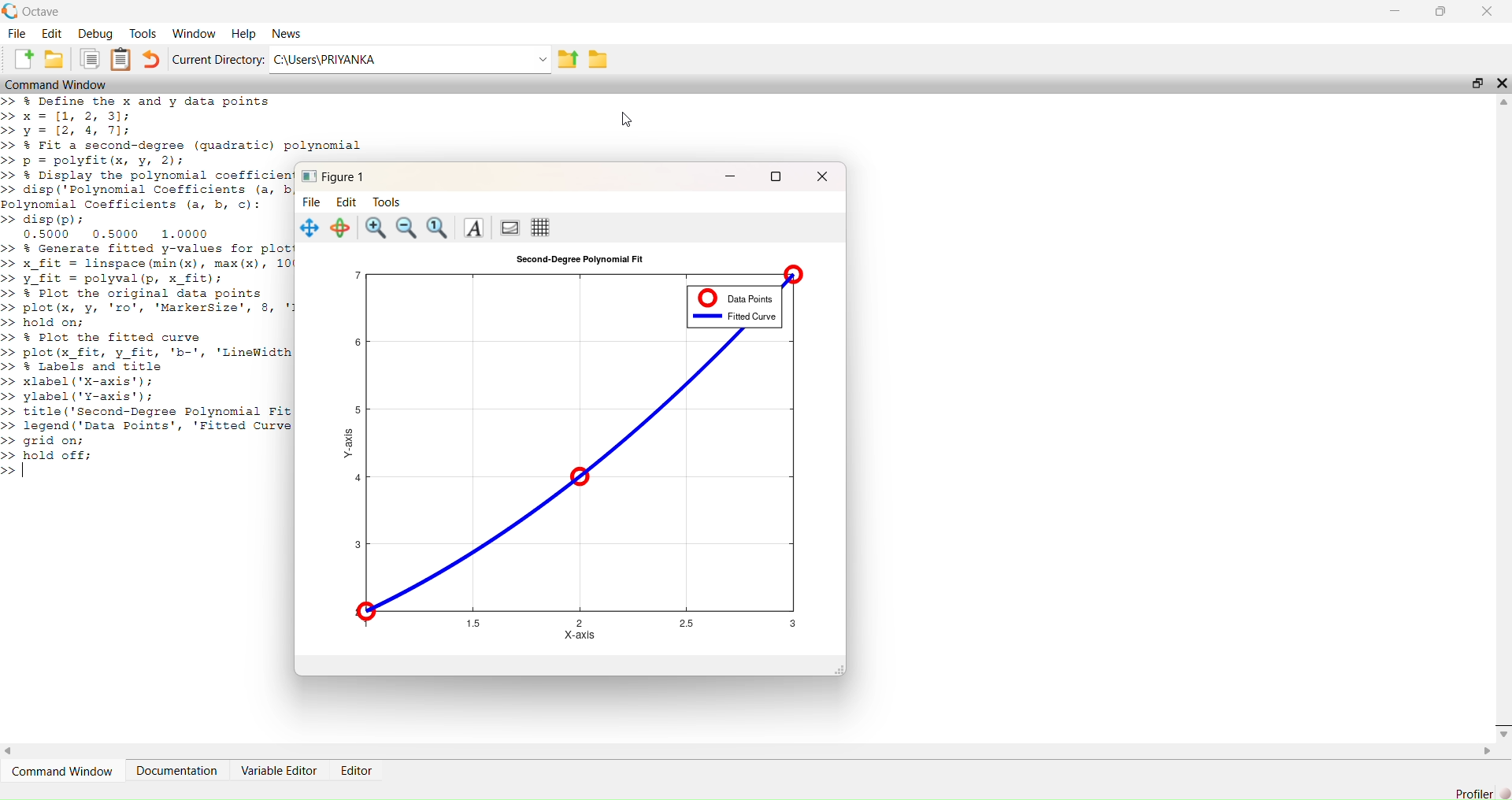 The width and height of the screenshot is (1512, 800). Describe the element at coordinates (1473, 788) in the screenshot. I see `Profiler` at that location.